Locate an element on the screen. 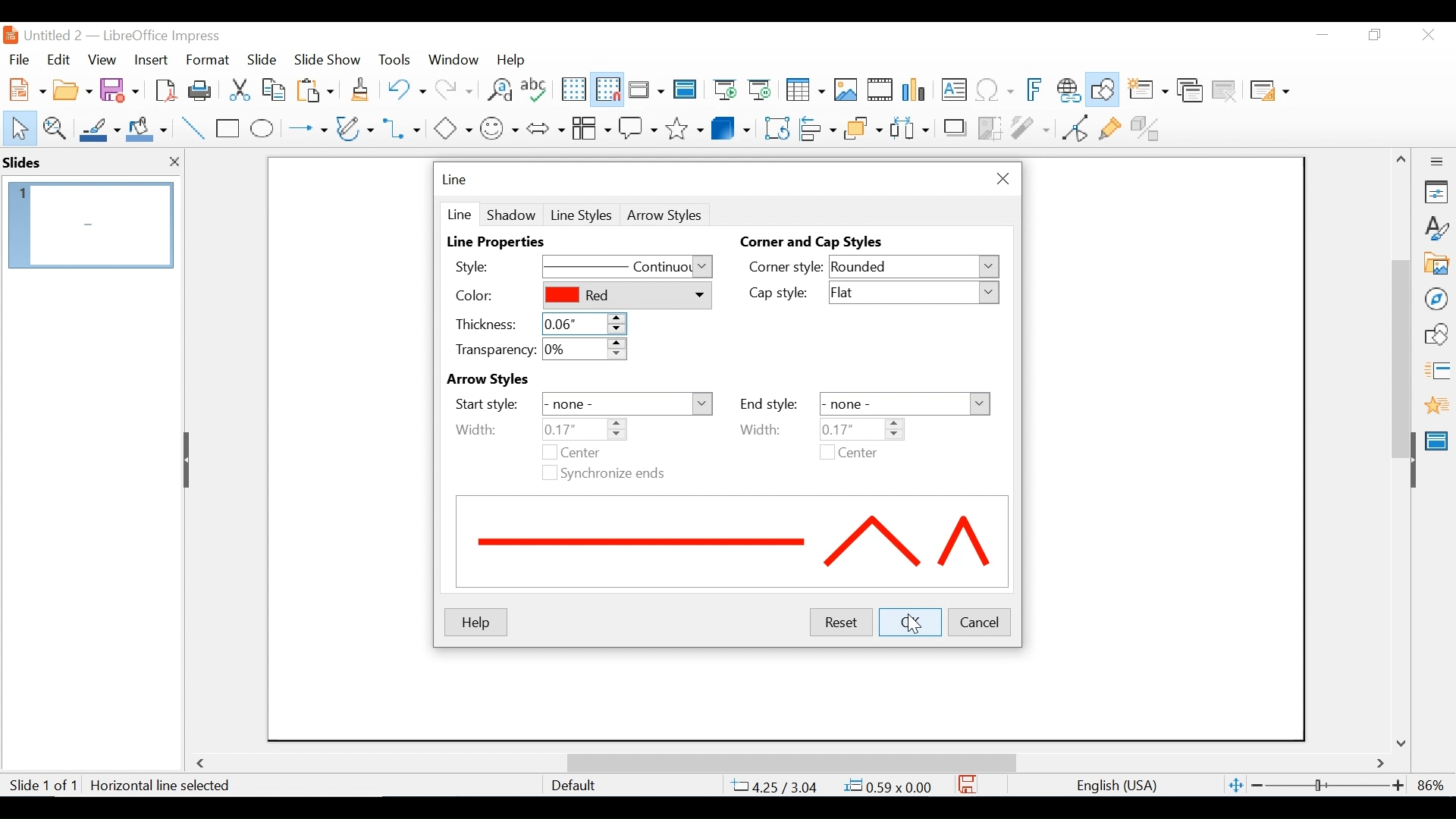  Slide Transition is located at coordinates (1436, 372).